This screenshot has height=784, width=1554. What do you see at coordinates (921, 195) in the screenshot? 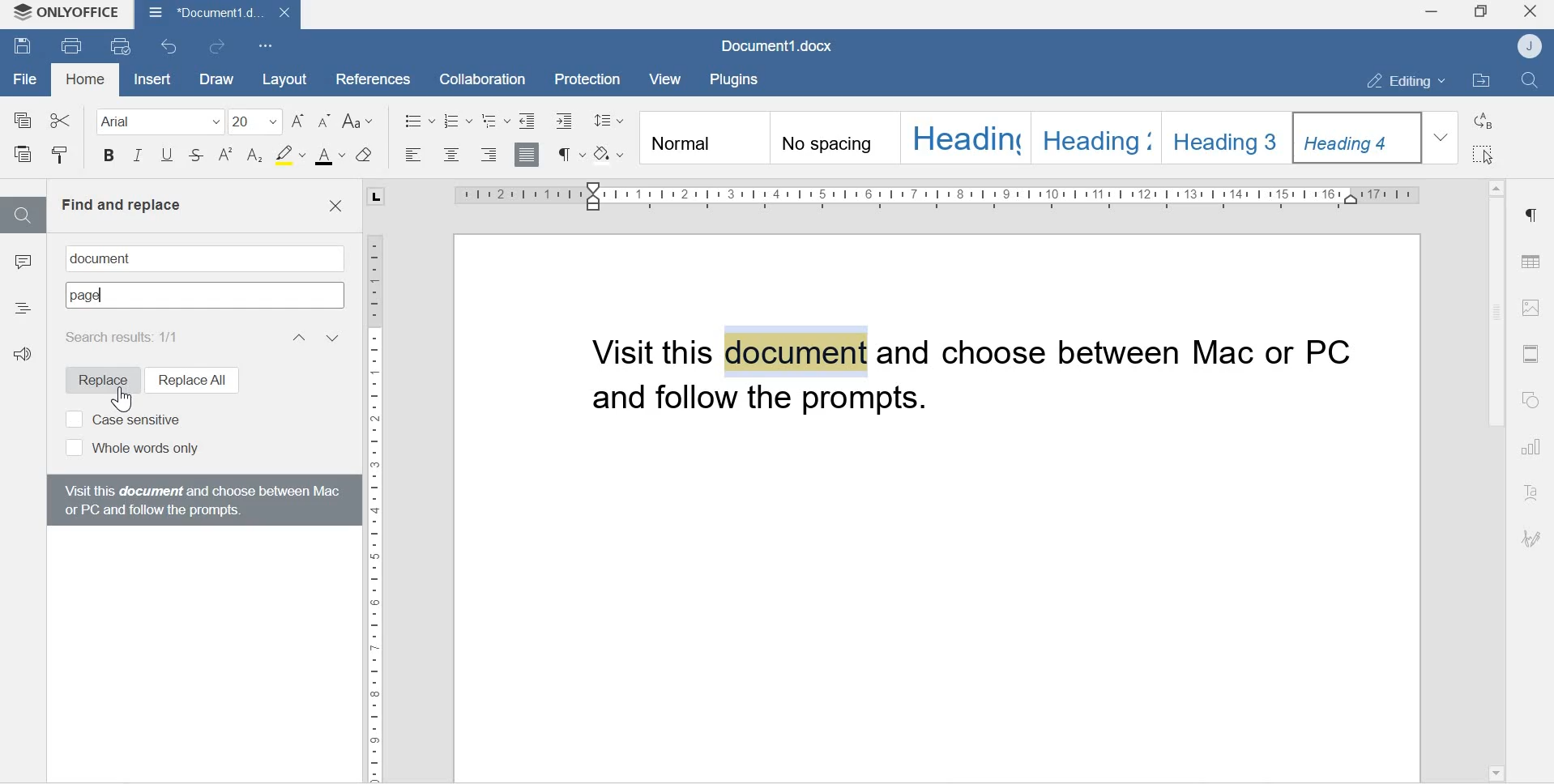
I see `Scale` at bounding box center [921, 195].